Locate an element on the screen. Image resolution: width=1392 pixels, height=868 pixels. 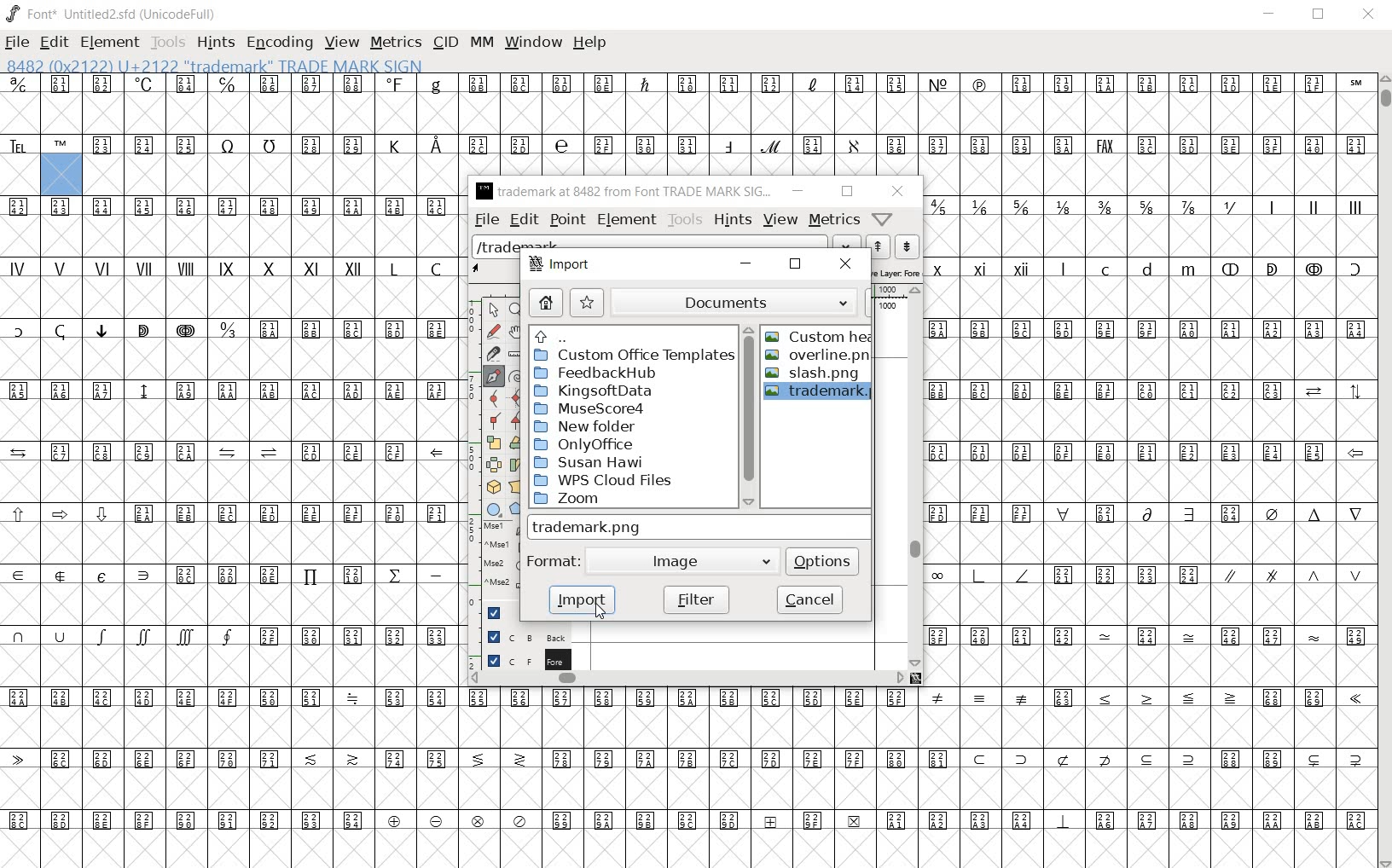
CURSOR is located at coordinates (599, 613).